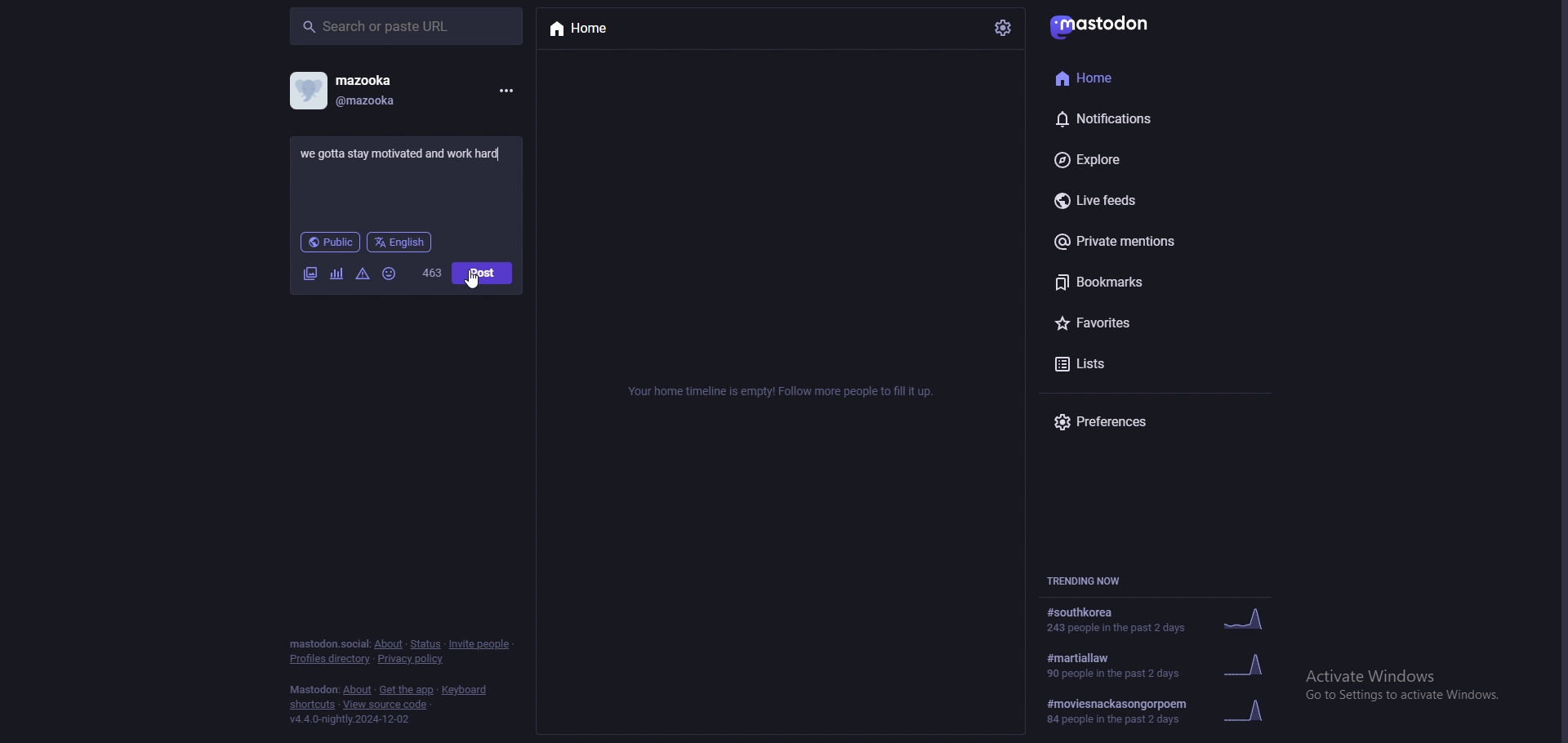 Image resolution: width=1568 pixels, height=743 pixels. I want to click on version, so click(353, 719).